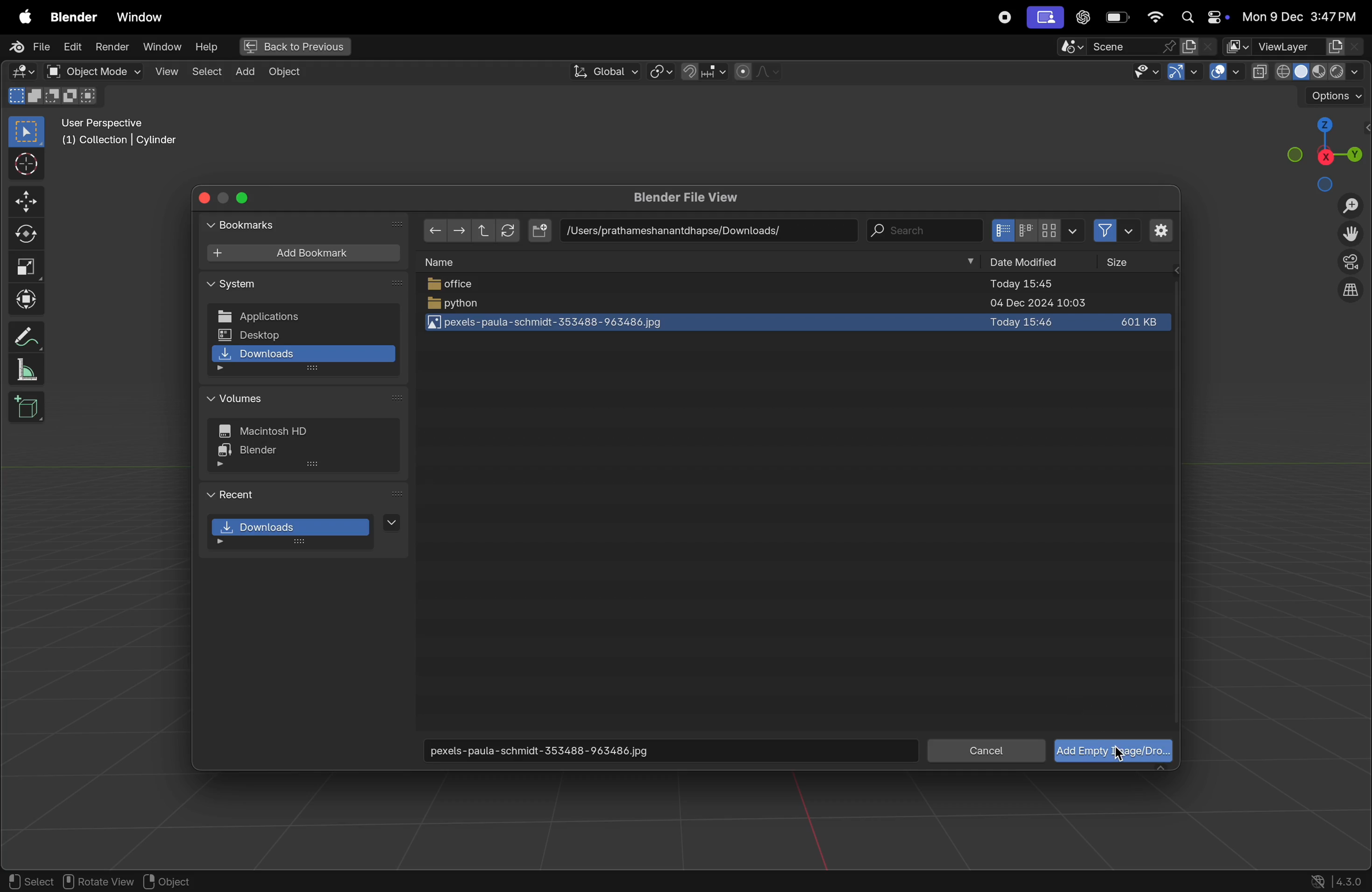  I want to click on date modified, so click(1021, 263).